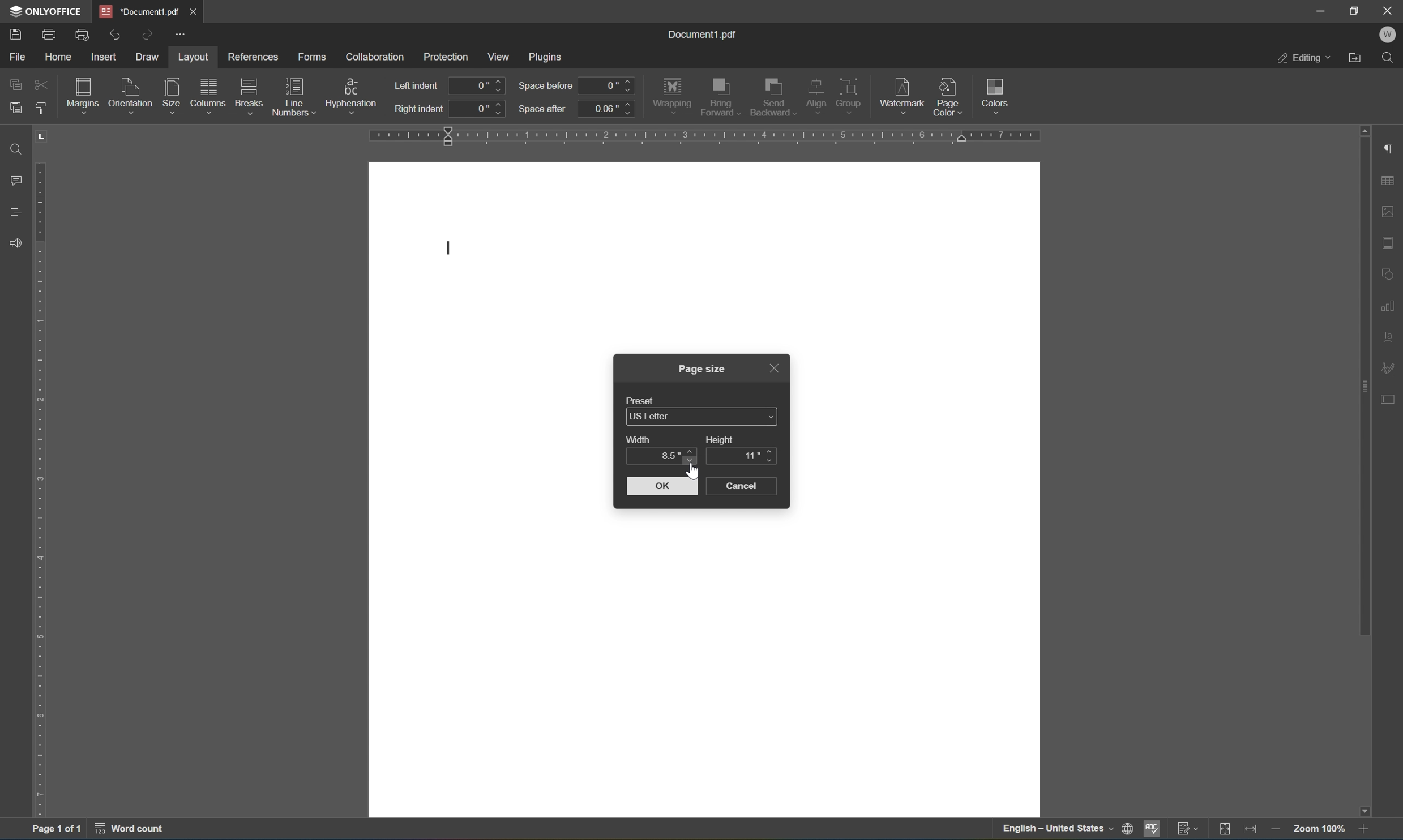 This screenshot has height=840, width=1403. Describe the element at coordinates (15, 33) in the screenshot. I see `save` at that location.